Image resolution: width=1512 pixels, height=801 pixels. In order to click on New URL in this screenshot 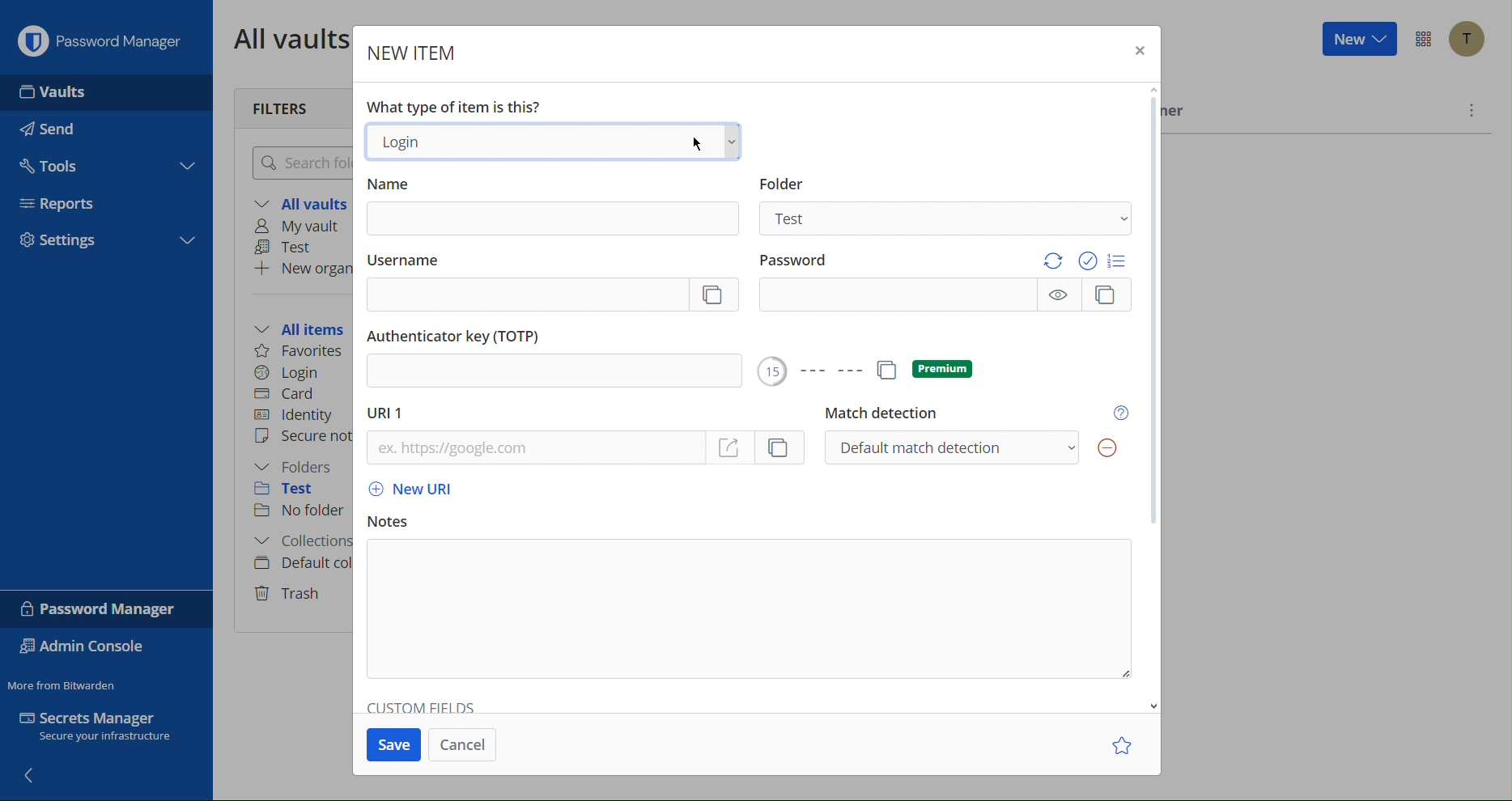, I will do `click(415, 489)`.